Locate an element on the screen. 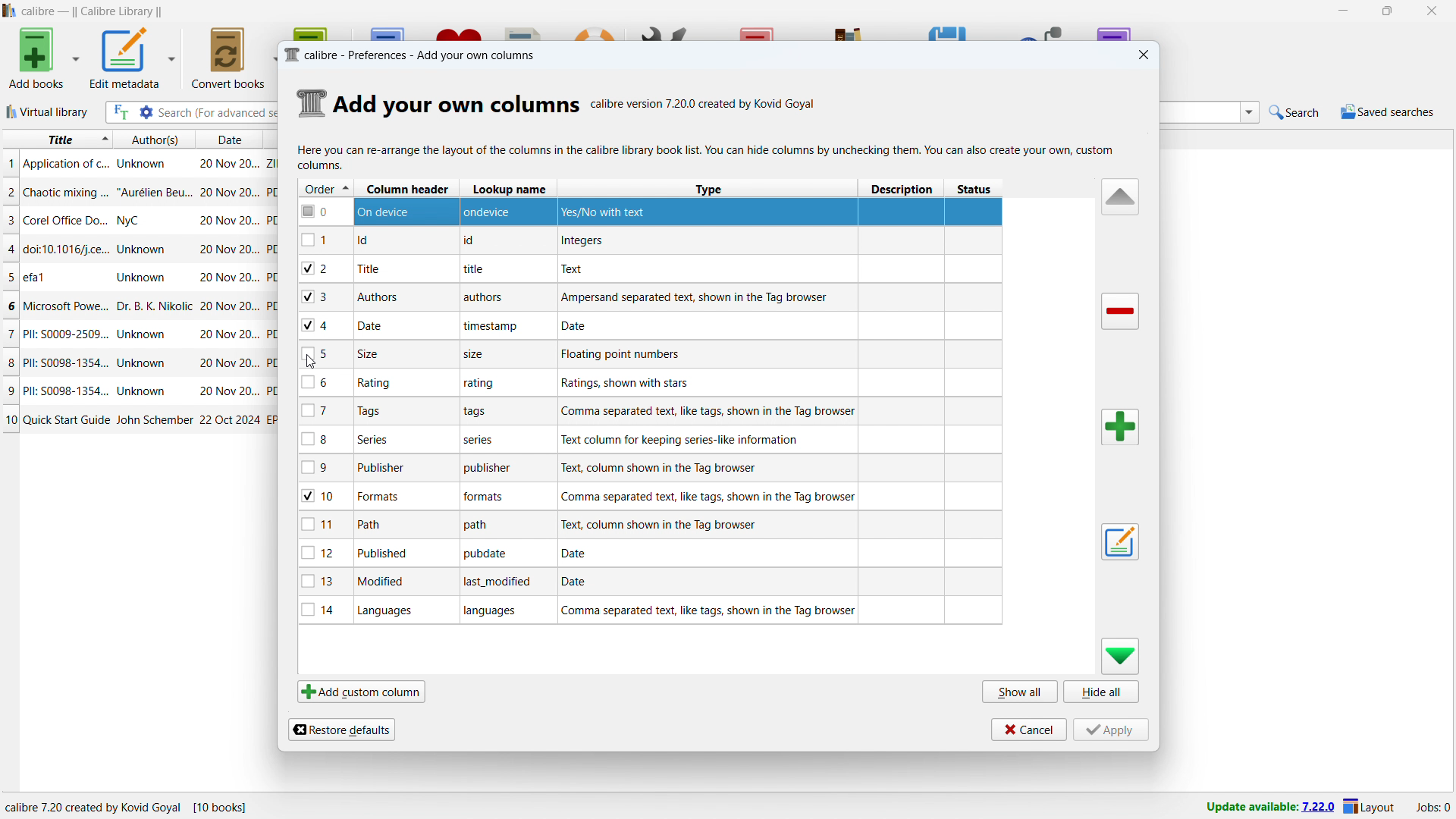 Image resolution: width=1456 pixels, height=819 pixels. 13 is located at coordinates (322, 582).